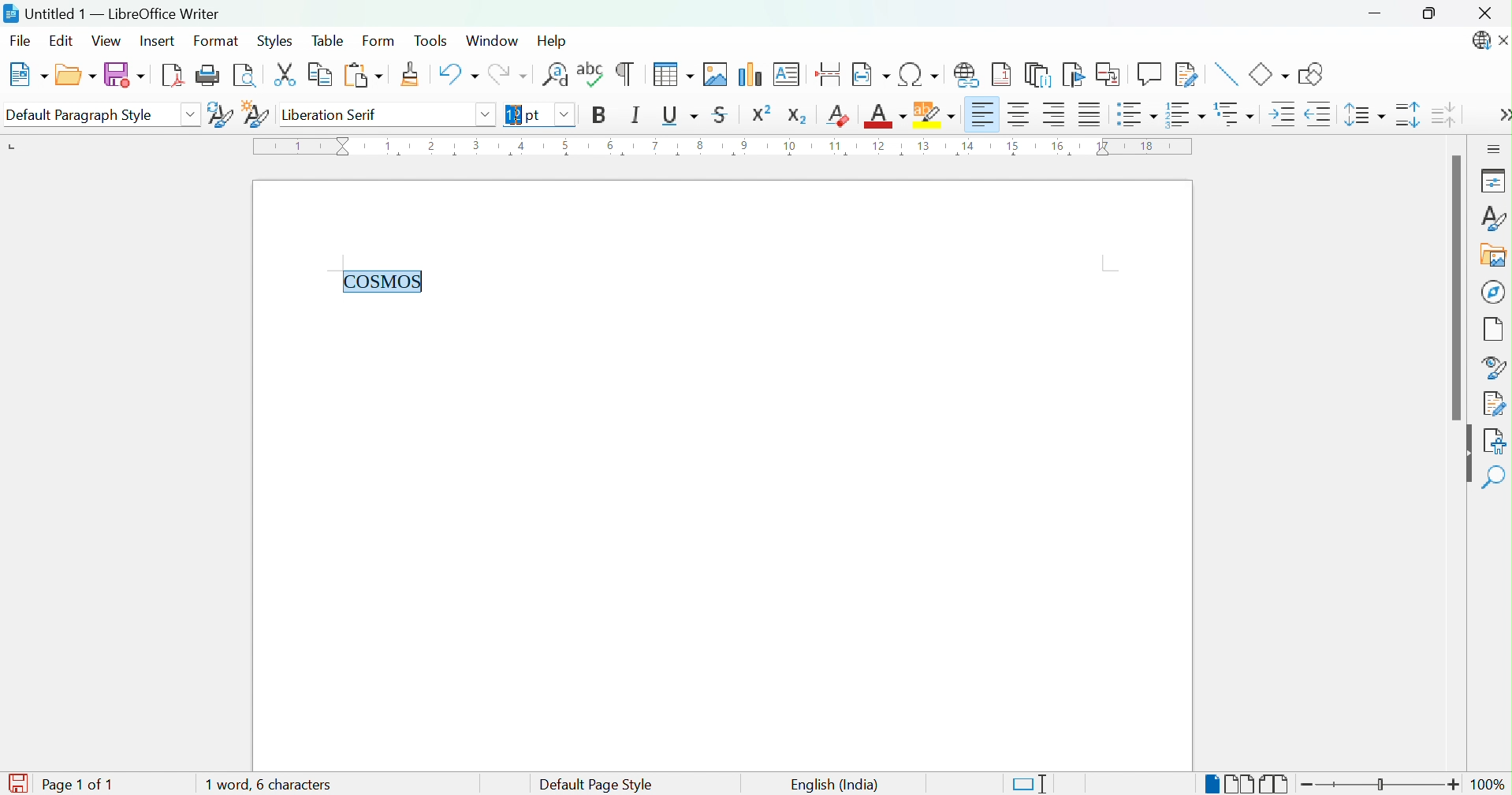 This screenshot has width=1512, height=795. I want to click on Draw Basic Shapes, so click(1312, 74).